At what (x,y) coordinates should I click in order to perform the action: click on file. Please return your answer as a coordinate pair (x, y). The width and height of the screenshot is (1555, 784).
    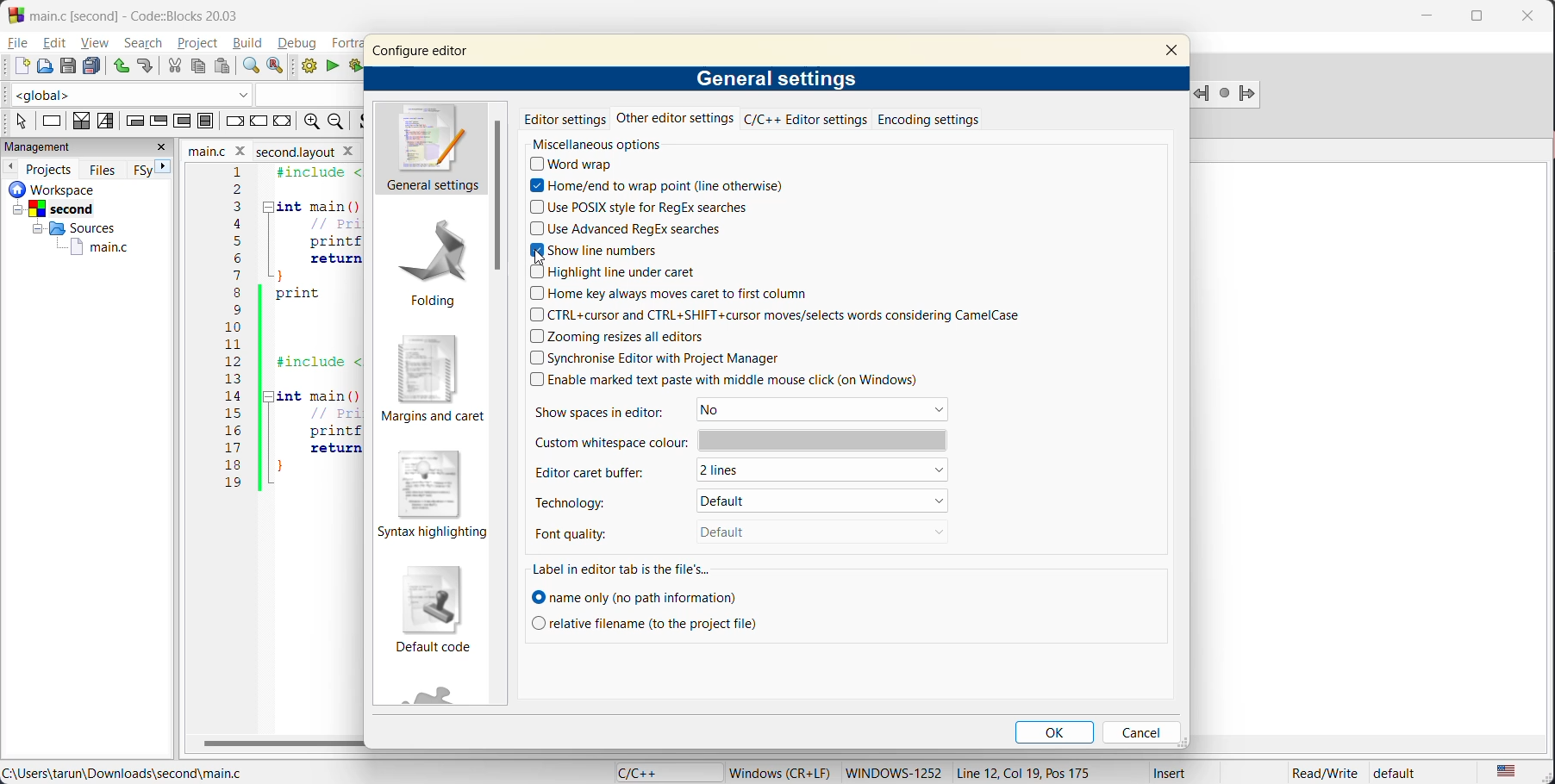
    Looking at the image, I should click on (20, 44).